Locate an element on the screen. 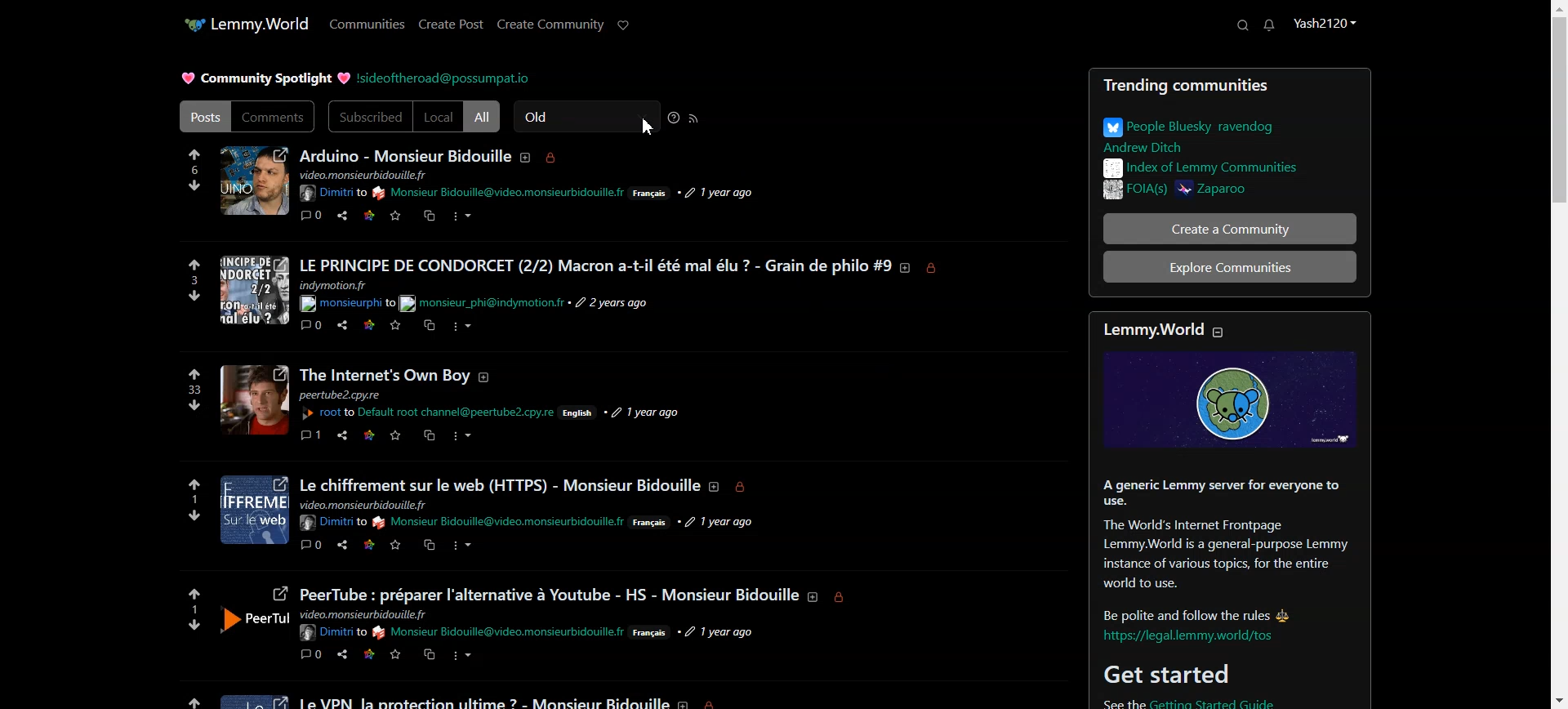 The image size is (1568, 709). upvotes is located at coordinates (193, 484).